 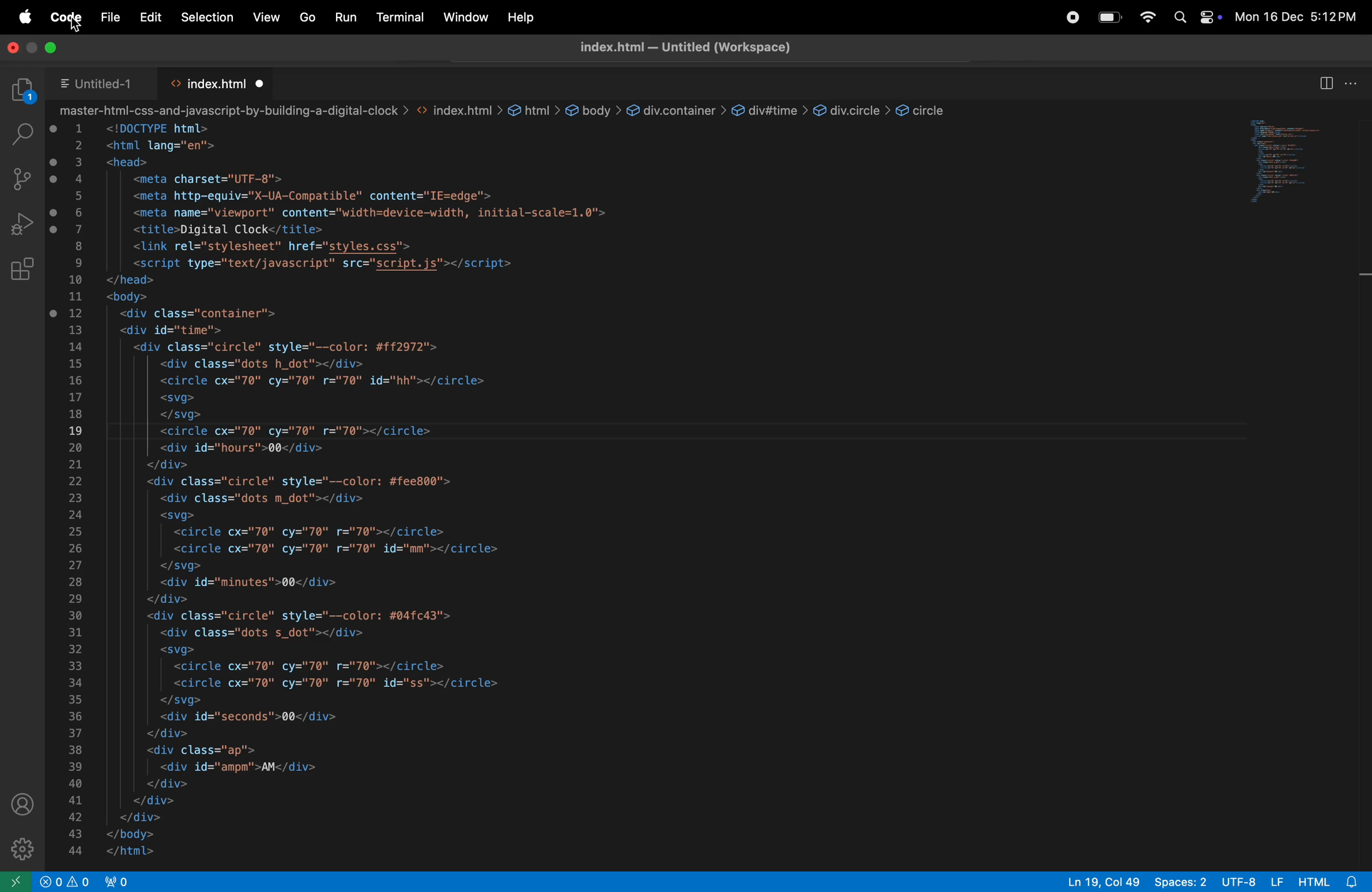 What do you see at coordinates (319, 532) in the screenshot?
I see `<circle cx="70" cy="70" r="70"></circle>` at bounding box center [319, 532].